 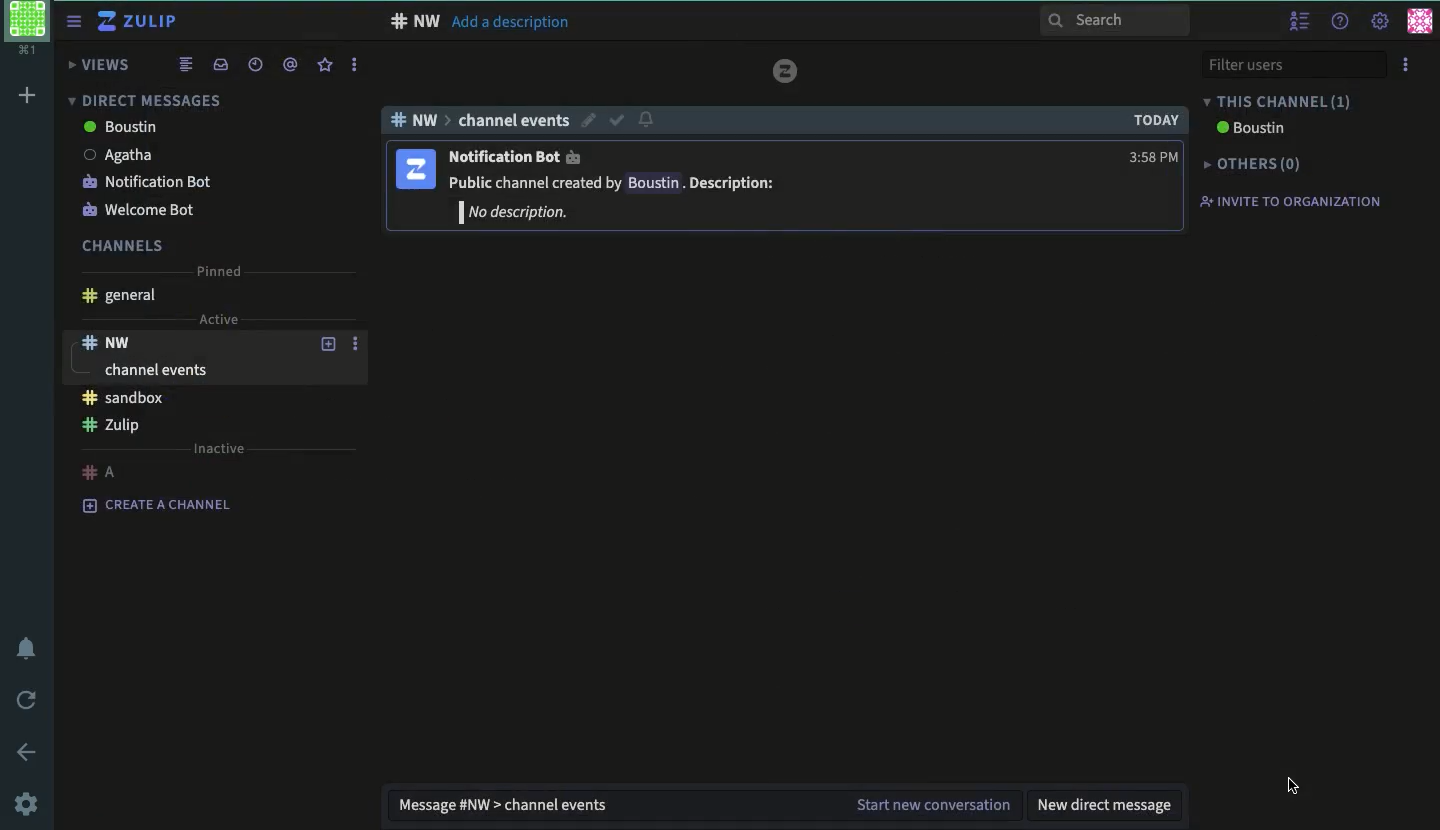 What do you see at coordinates (1420, 20) in the screenshot?
I see `user profile` at bounding box center [1420, 20].